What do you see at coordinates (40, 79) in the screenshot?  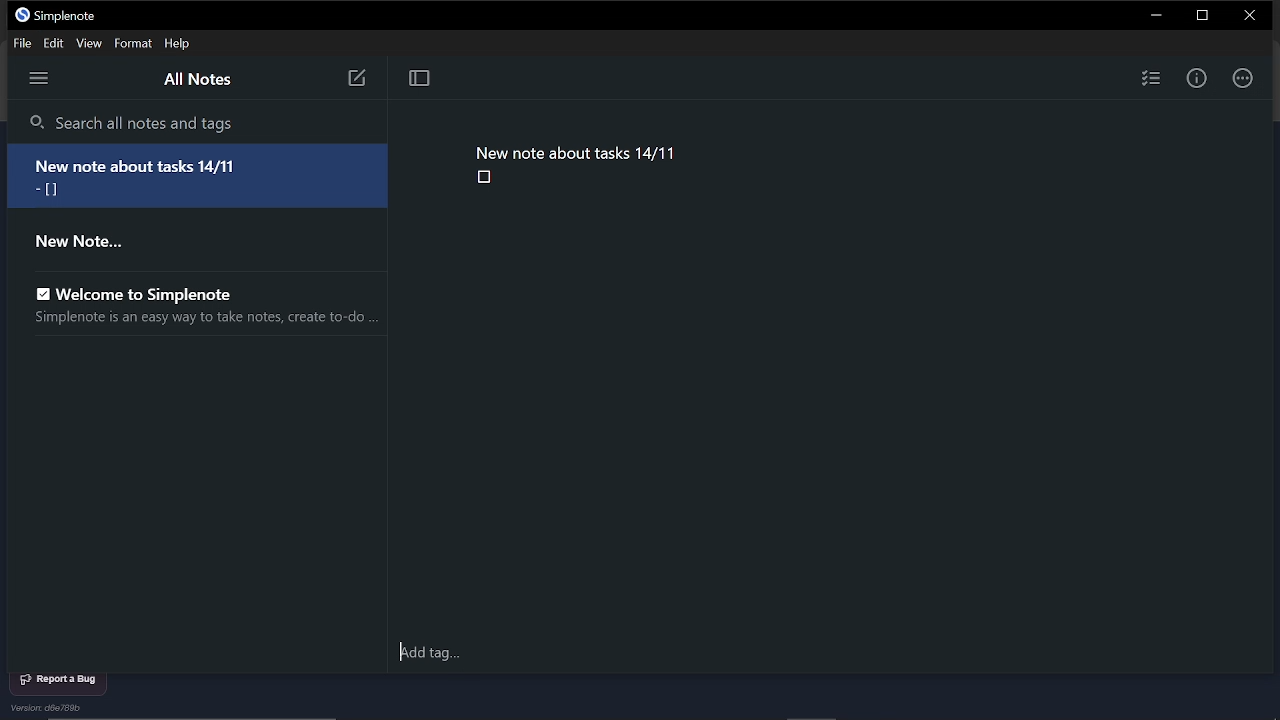 I see `Menu` at bounding box center [40, 79].